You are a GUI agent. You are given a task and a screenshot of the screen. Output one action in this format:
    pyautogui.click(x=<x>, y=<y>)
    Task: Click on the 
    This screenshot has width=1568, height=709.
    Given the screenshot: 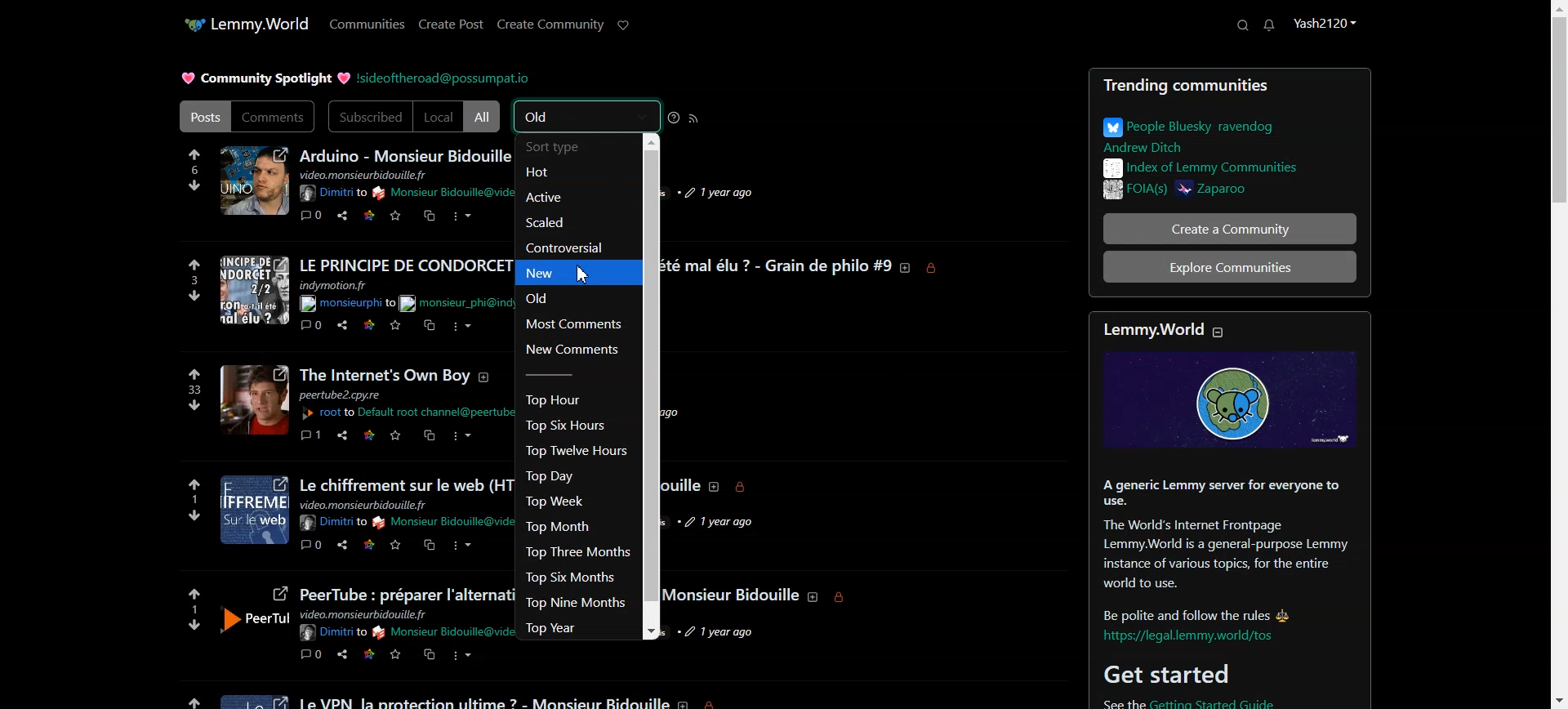 What is the action you would take?
    pyautogui.click(x=368, y=544)
    